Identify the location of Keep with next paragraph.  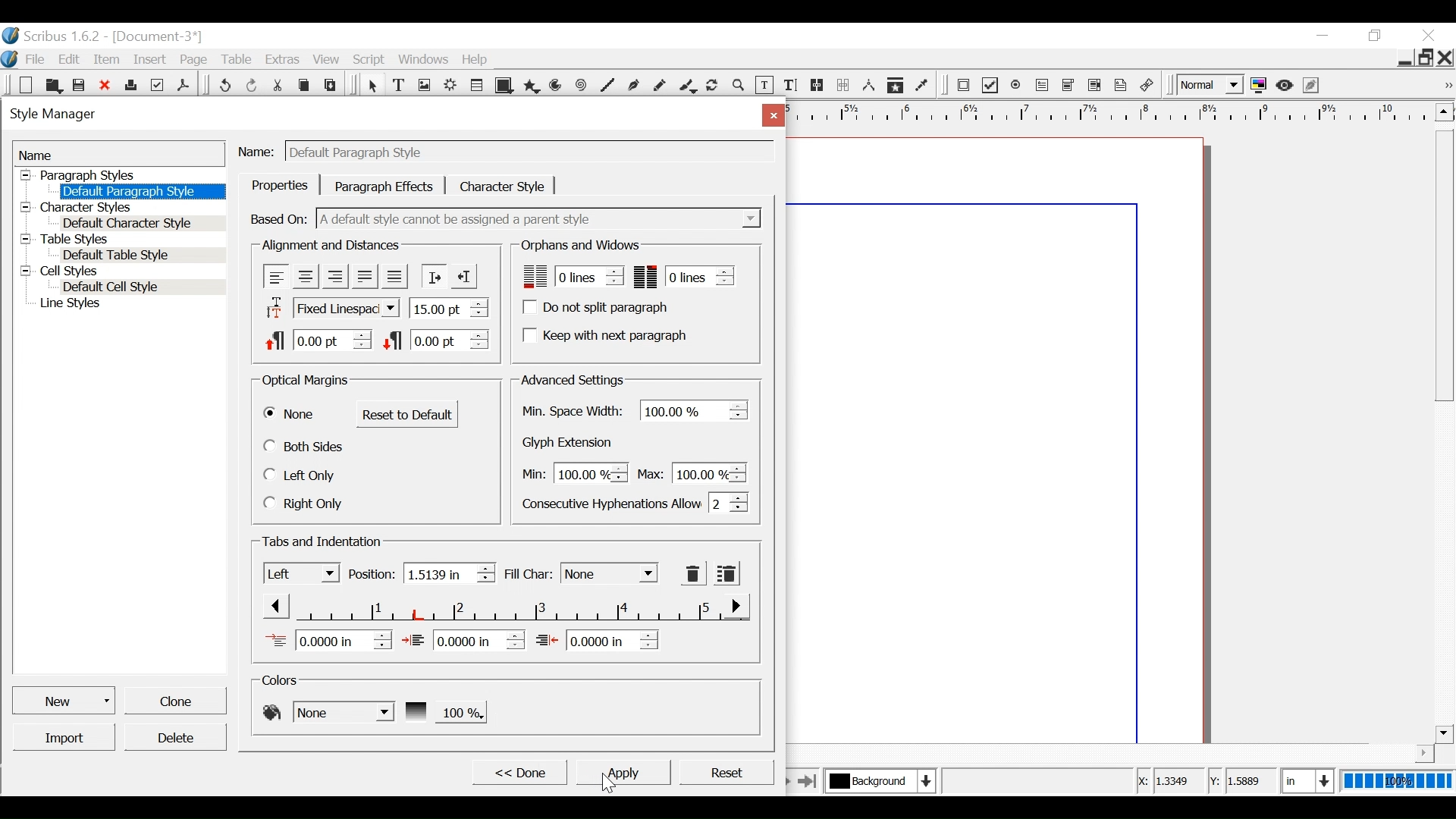
(603, 334).